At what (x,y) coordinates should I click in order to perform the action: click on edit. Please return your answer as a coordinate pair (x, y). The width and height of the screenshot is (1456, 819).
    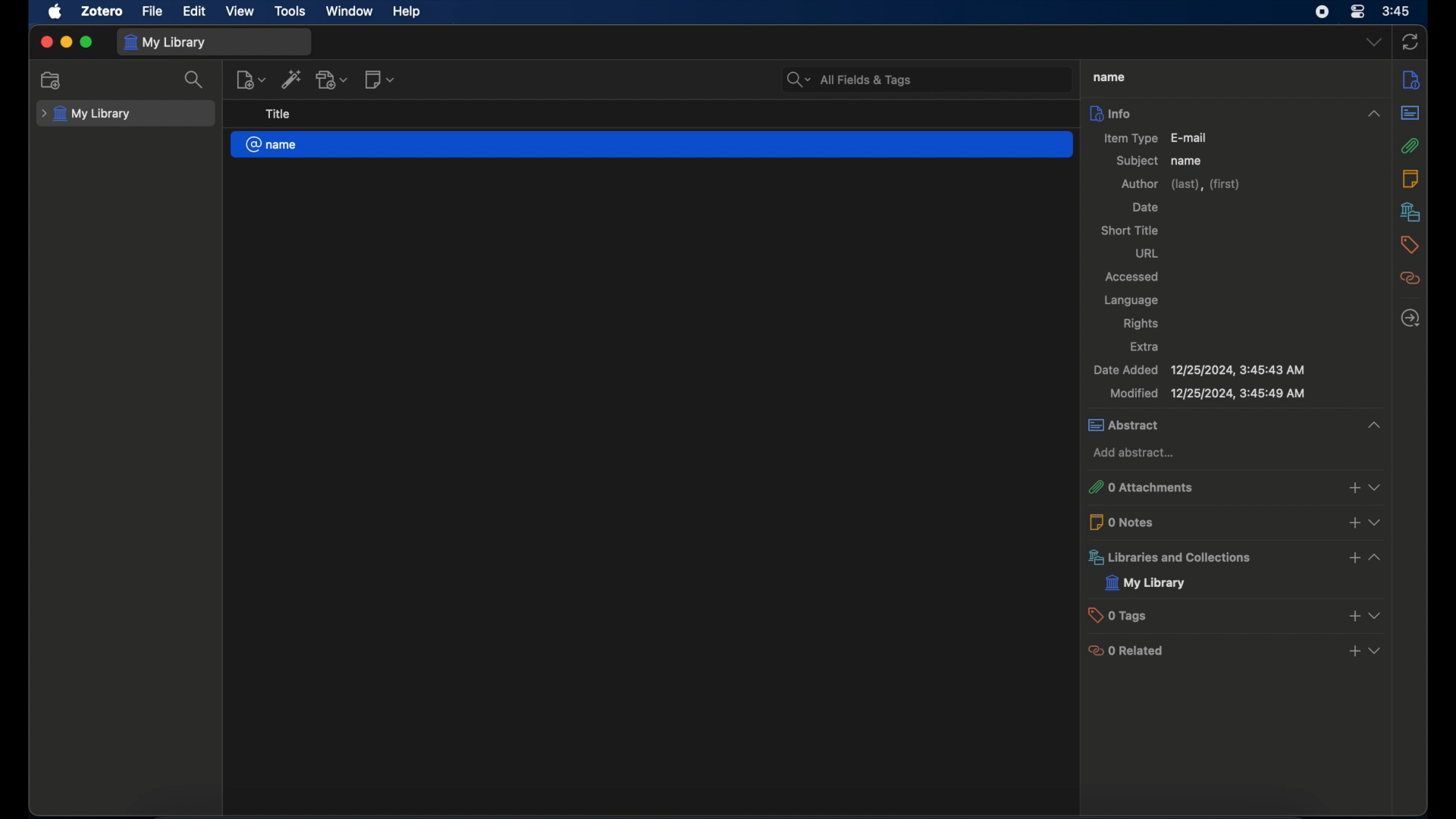
    Looking at the image, I should click on (196, 12).